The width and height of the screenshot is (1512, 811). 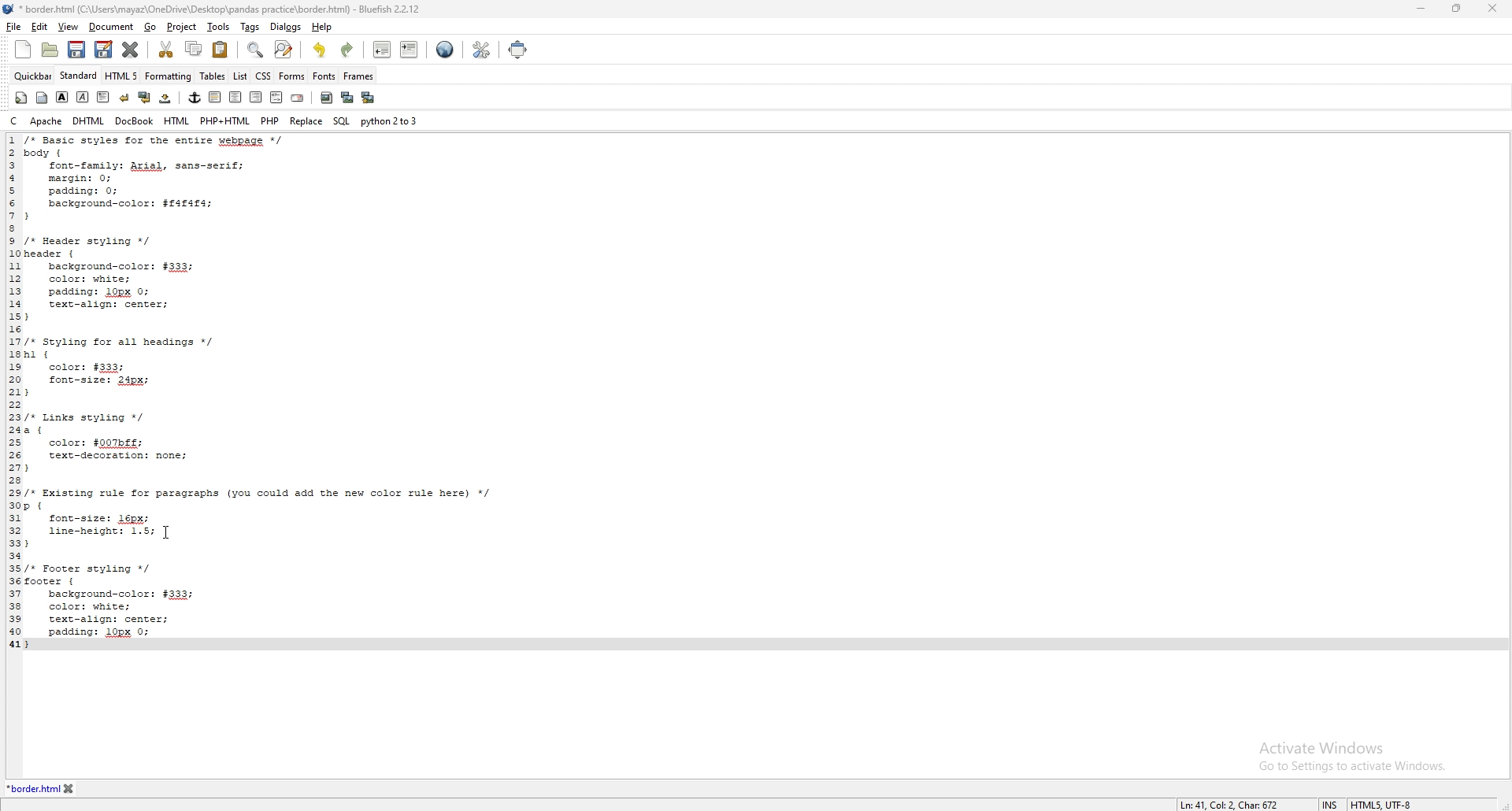 What do you see at coordinates (216, 97) in the screenshot?
I see `left justify` at bounding box center [216, 97].